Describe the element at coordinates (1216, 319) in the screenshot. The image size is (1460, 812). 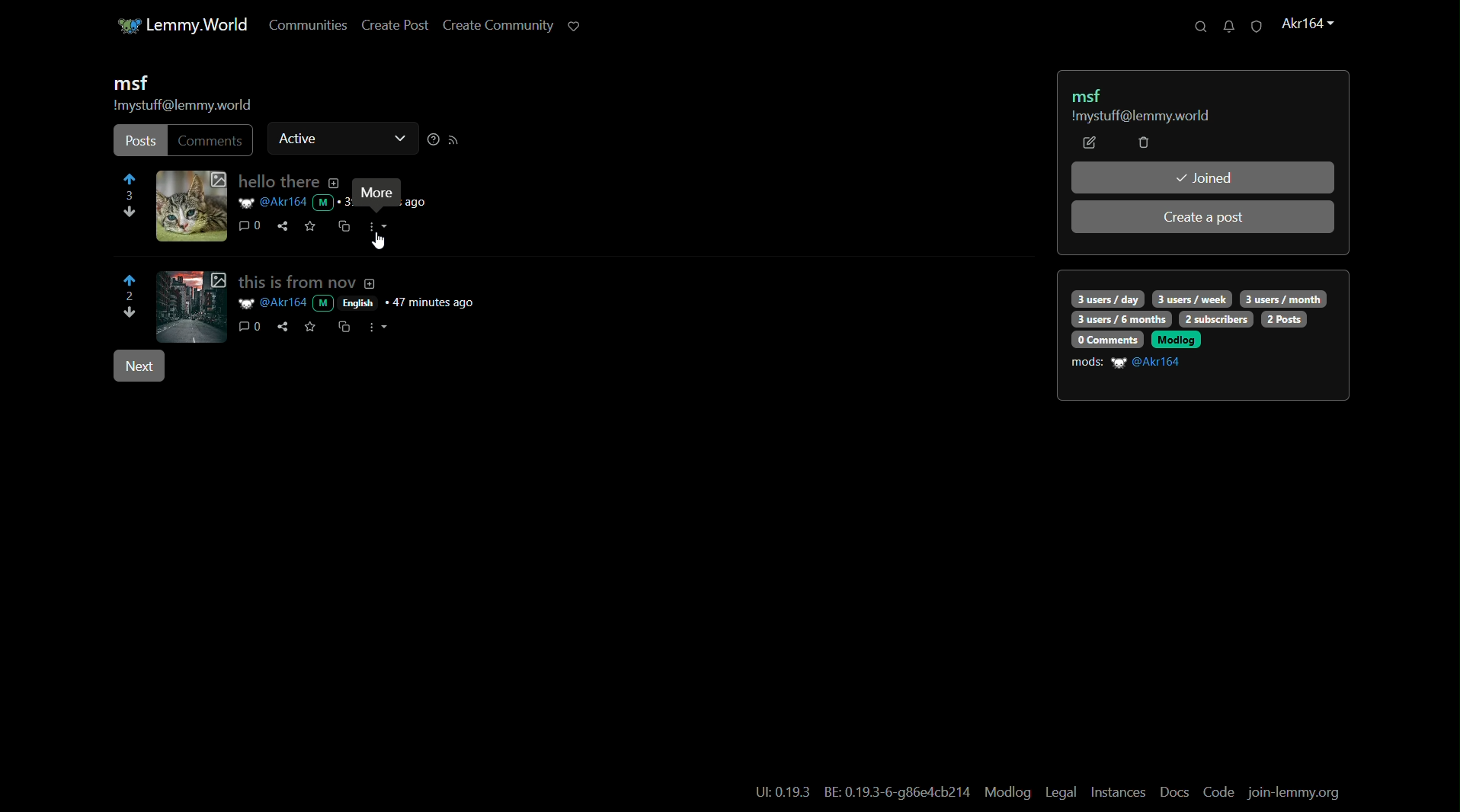
I see `2 subscribers` at that location.